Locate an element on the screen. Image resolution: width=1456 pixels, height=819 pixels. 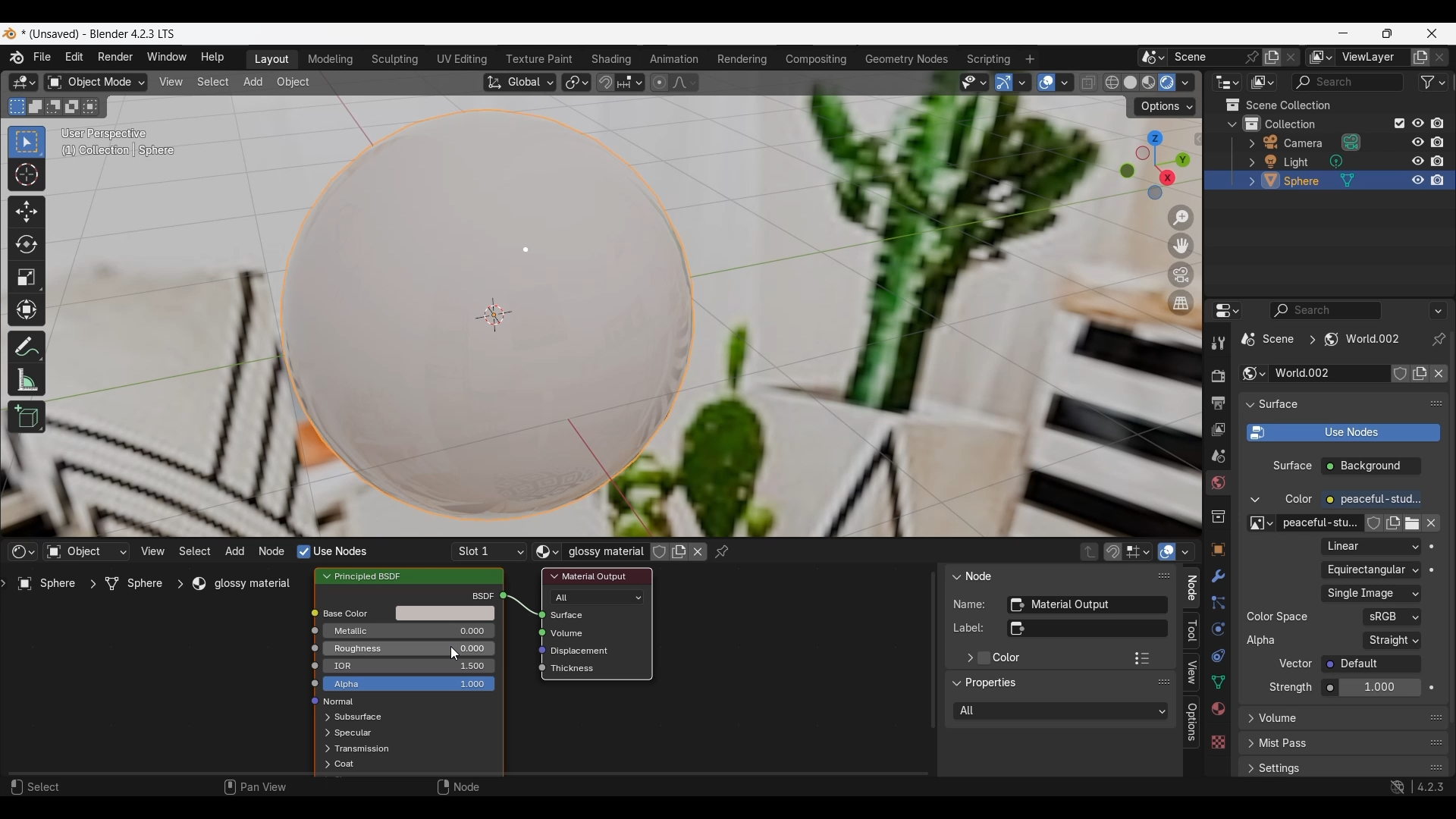
Animate property is located at coordinates (1432, 547).